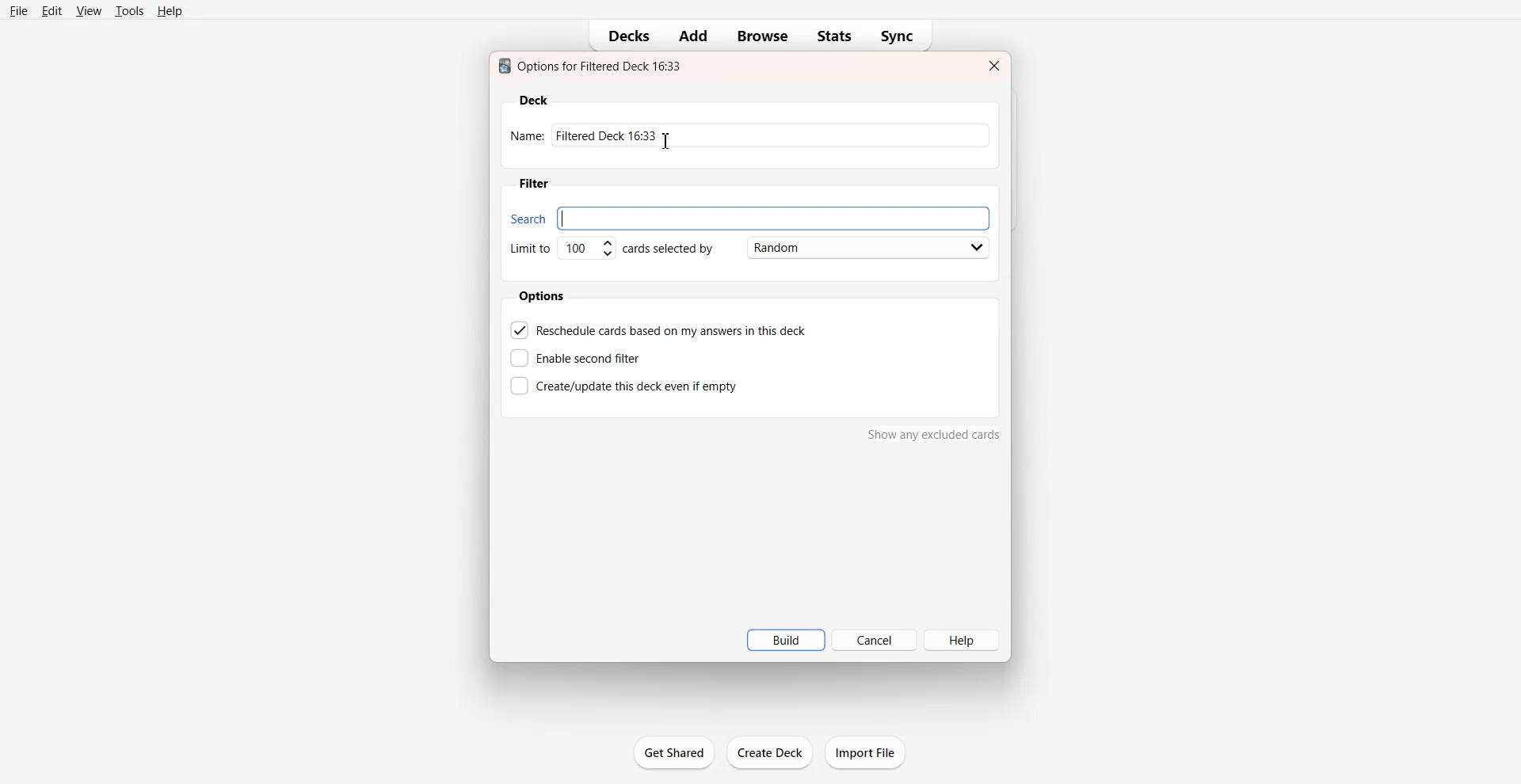 Image resolution: width=1521 pixels, height=784 pixels. Describe the element at coordinates (89, 10) in the screenshot. I see `View` at that location.